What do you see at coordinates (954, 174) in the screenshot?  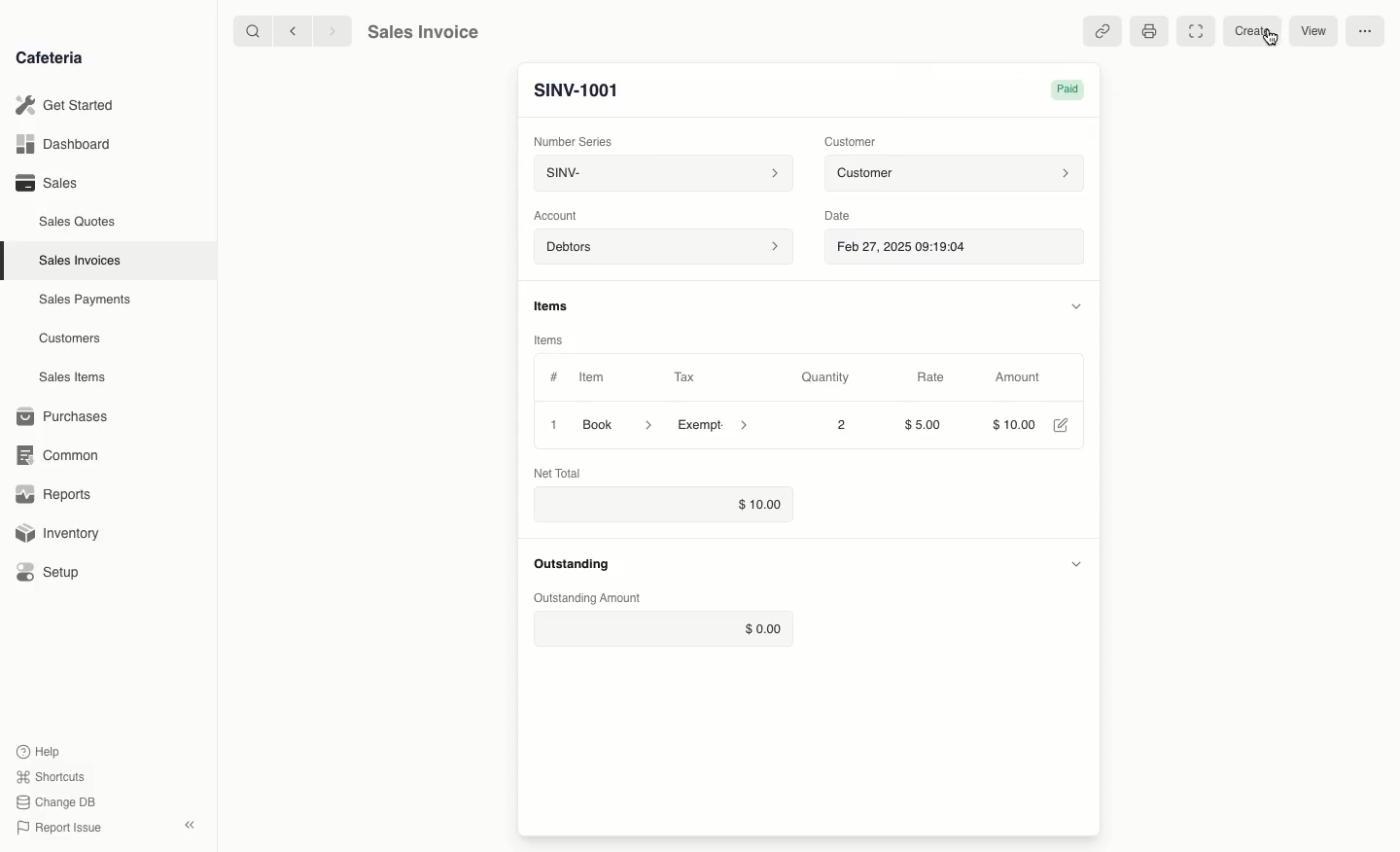 I see `Customer` at bounding box center [954, 174].